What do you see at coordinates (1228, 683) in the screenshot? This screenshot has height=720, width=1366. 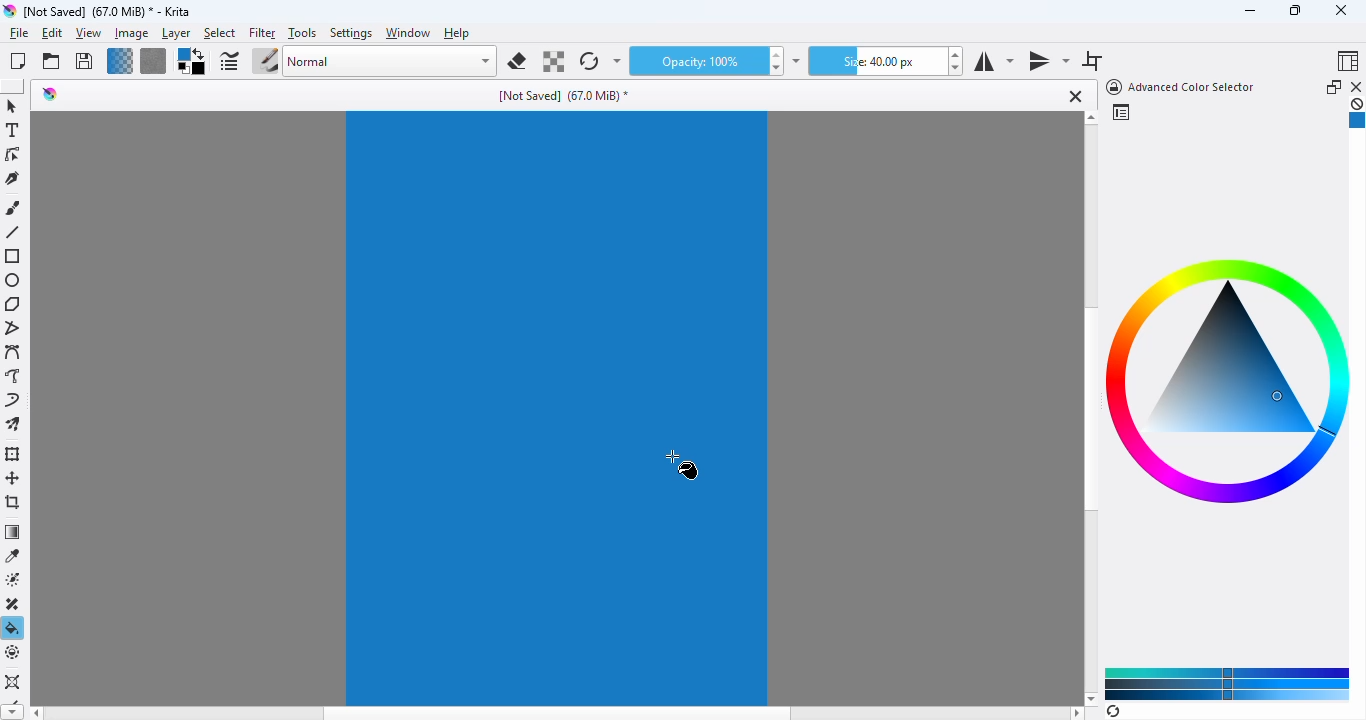 I see `color models and components` at bounding box center [1228, 683].